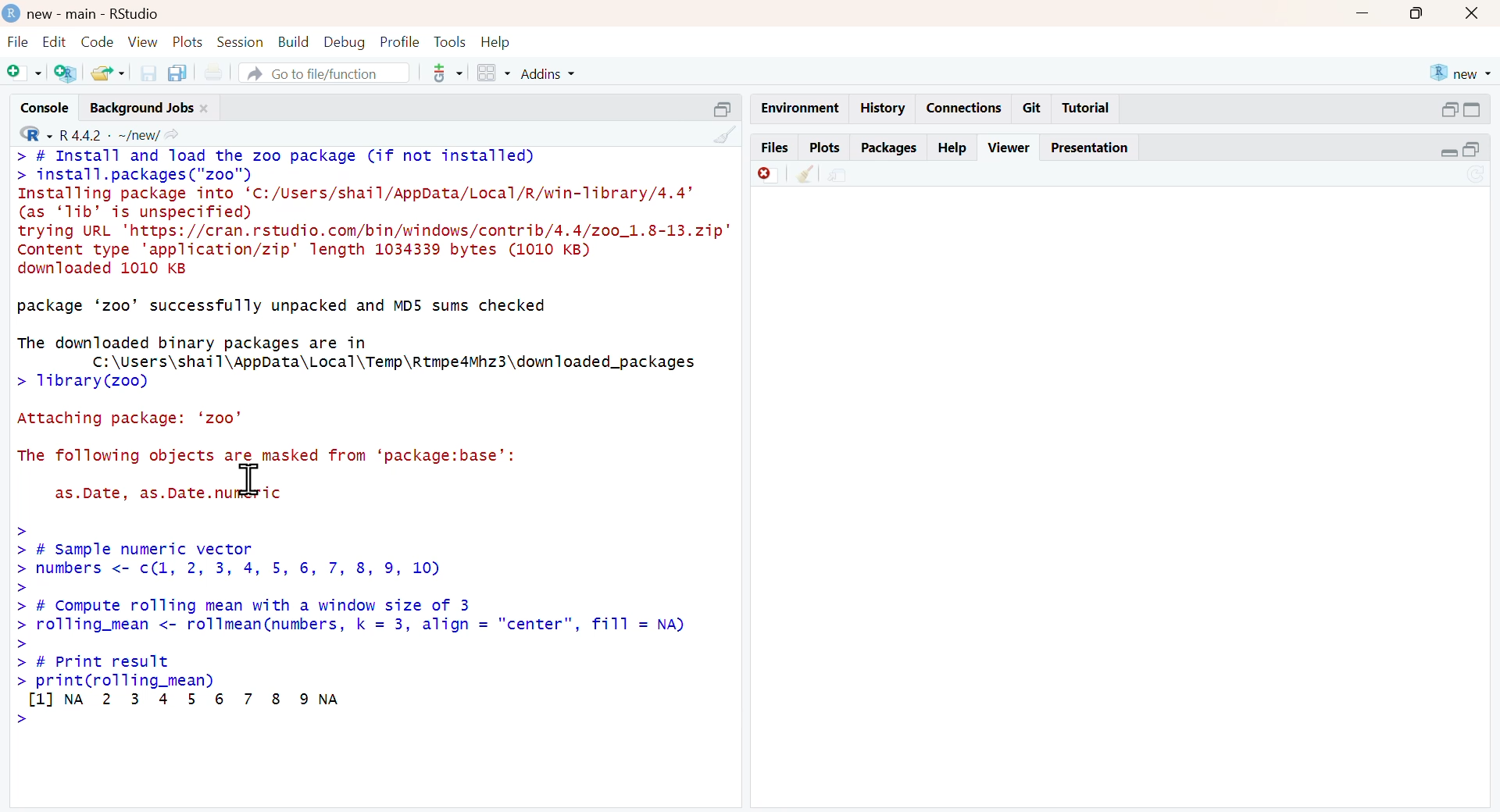 Image resolution: width=1500 pixels, height=812 pixels. What do you see at coordinates (1417, 13) in the screenshot?
I see `maximise` at bounding box center [1417, 13].